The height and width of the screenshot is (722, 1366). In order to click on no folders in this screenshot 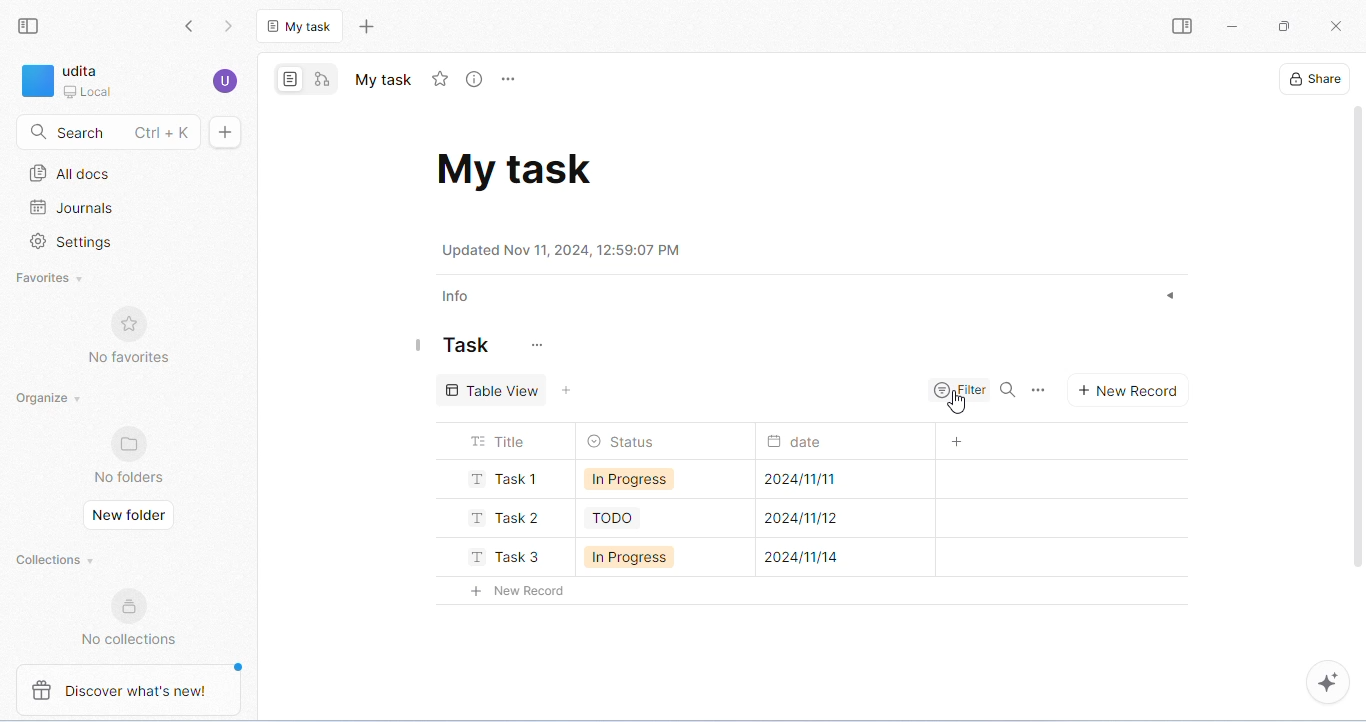, I will do `click(130, 478)`.